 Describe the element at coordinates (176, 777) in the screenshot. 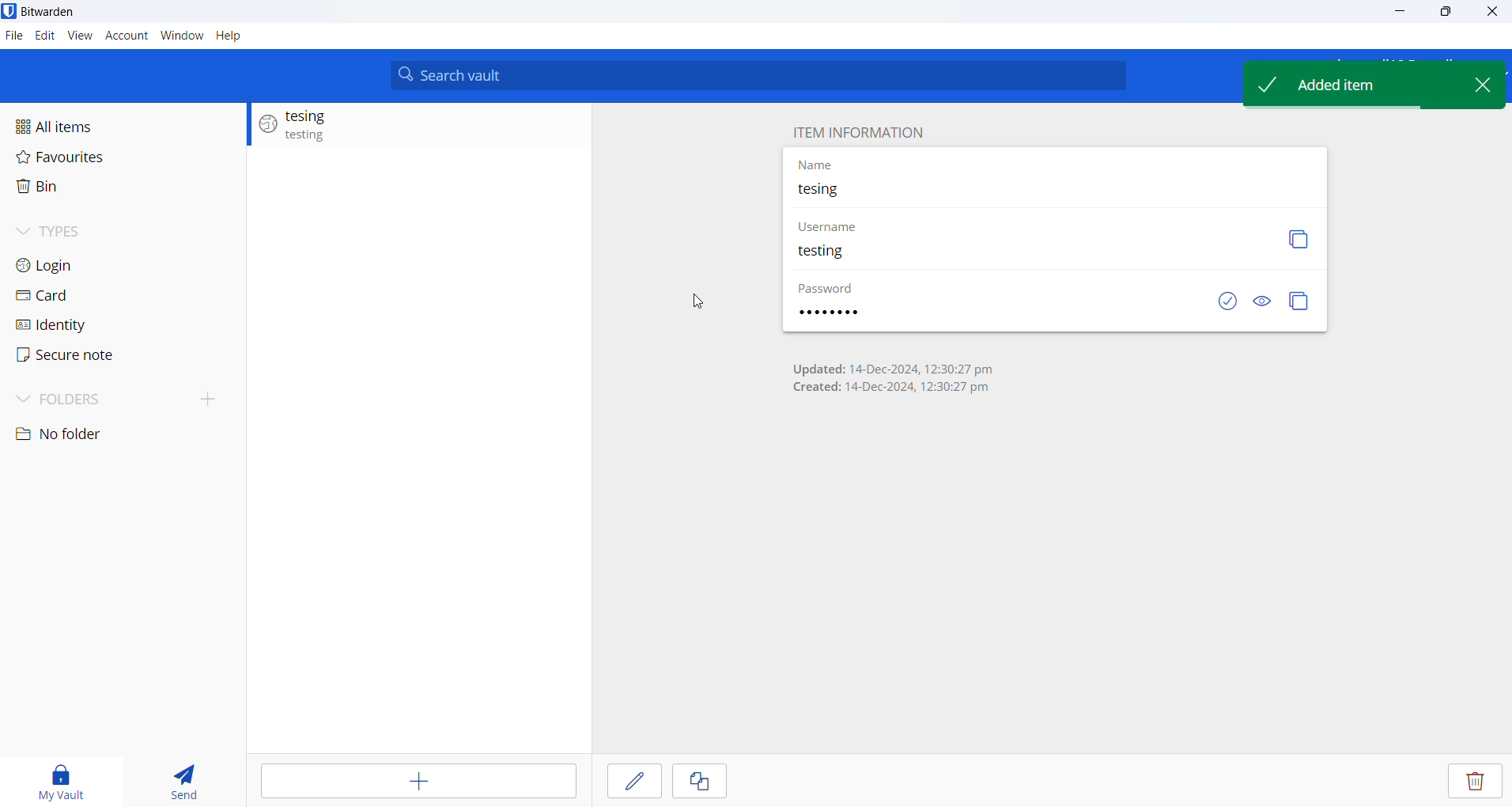

I see `send` at that location.